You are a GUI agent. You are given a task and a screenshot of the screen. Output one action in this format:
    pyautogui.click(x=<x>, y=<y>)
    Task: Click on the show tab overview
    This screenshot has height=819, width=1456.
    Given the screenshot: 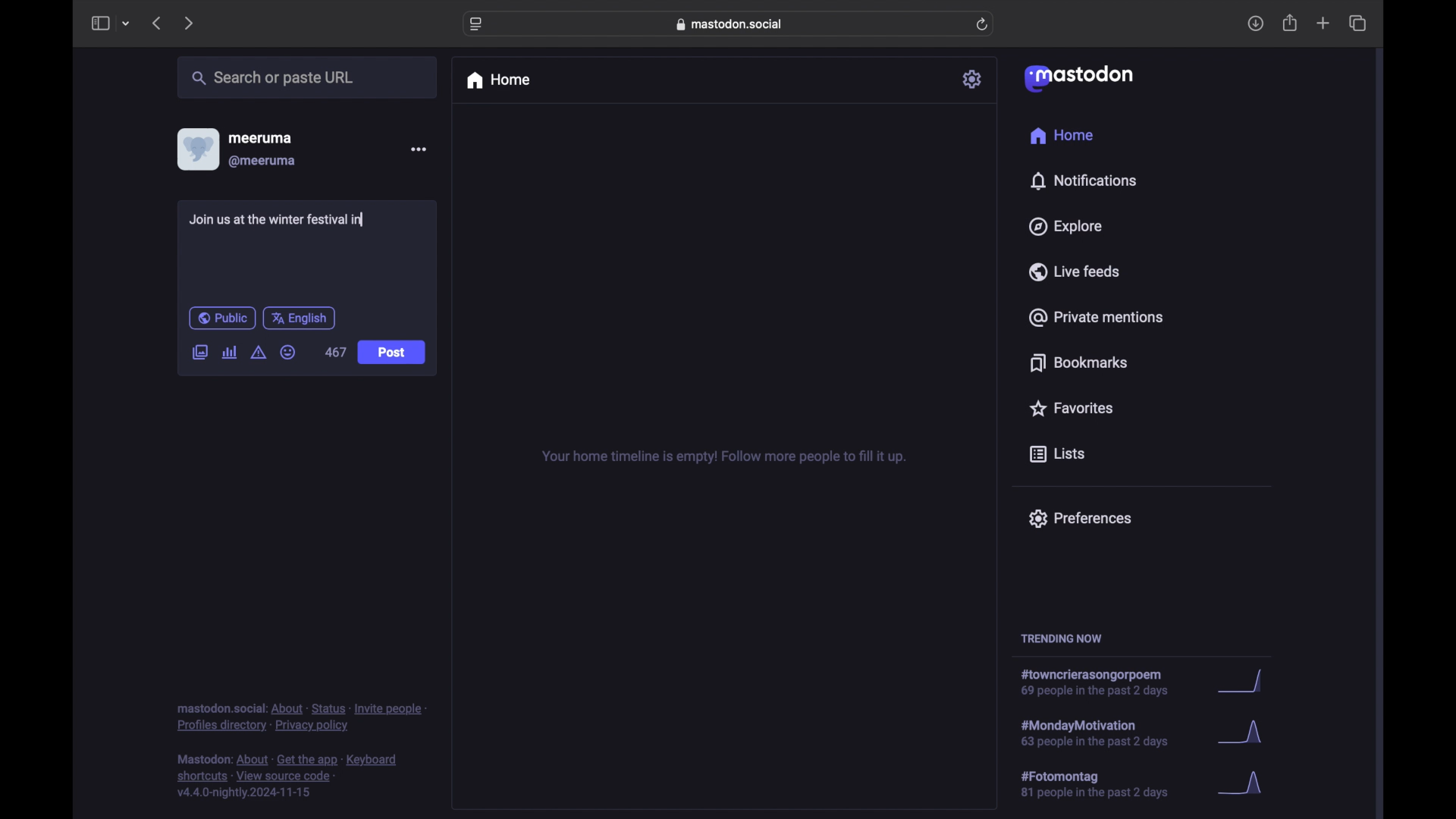 What is the action you would take?
    pyautogui.click(x=1357, y=24)
    